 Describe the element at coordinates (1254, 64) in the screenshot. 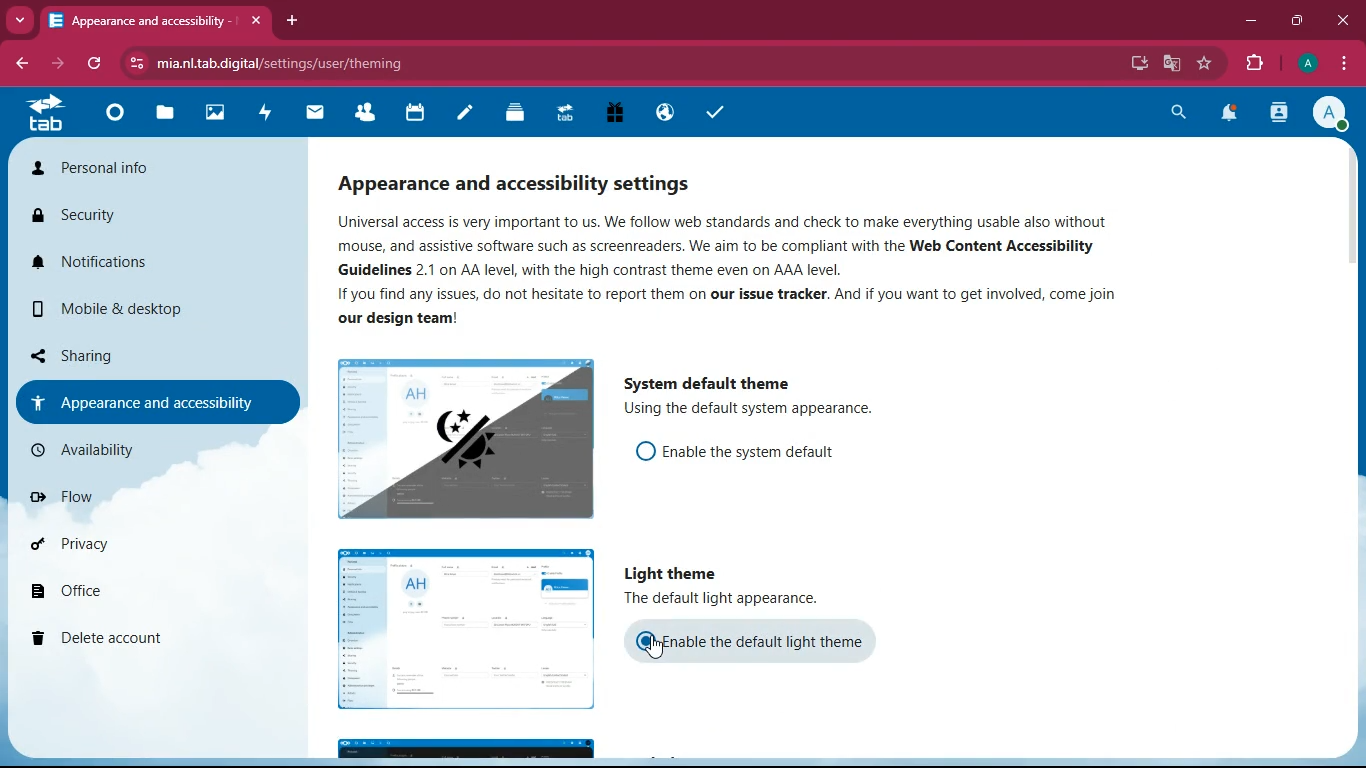

I see `extensions` at that location.